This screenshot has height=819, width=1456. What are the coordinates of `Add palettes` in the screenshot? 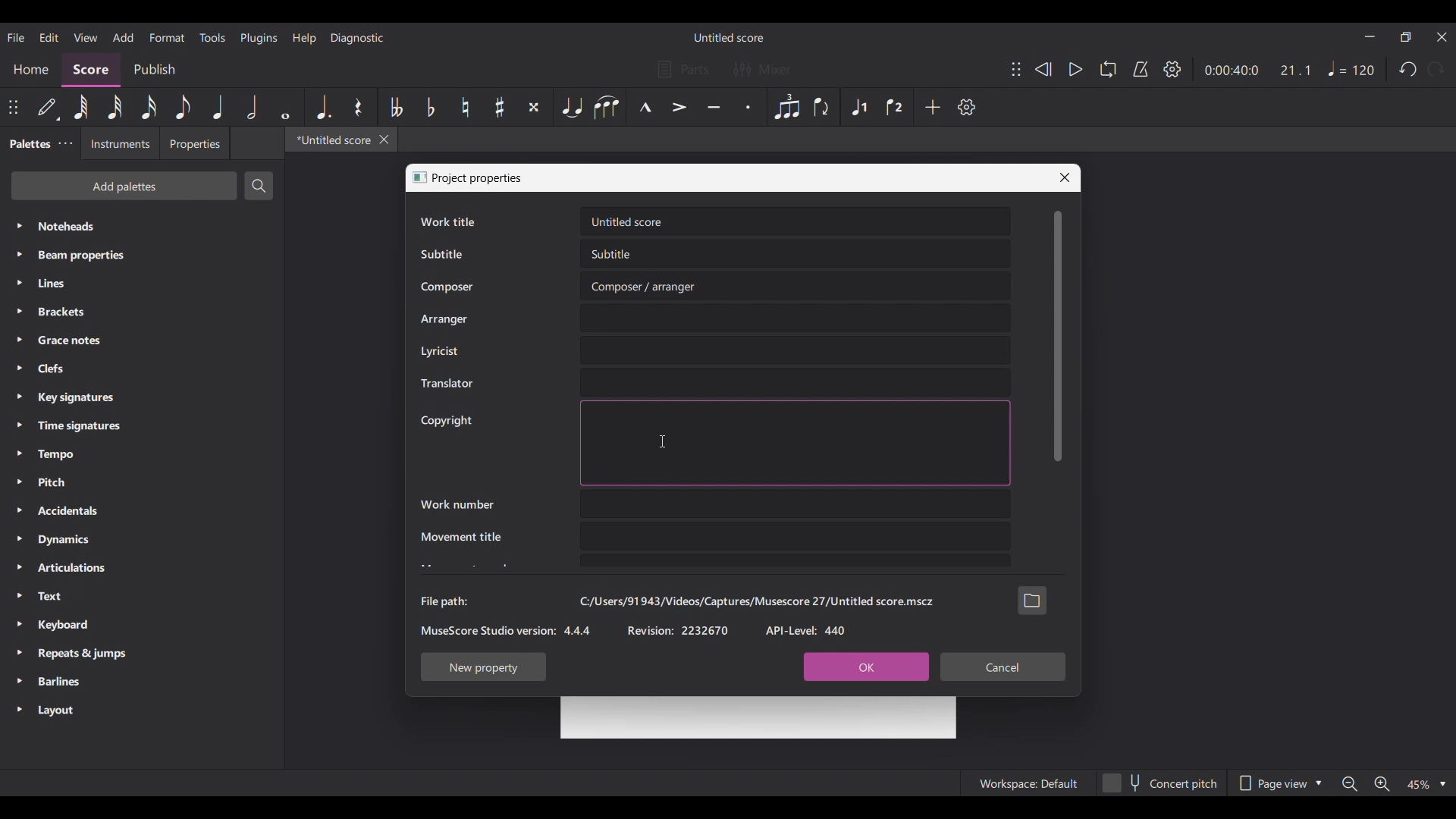 It's located at (124, 186).